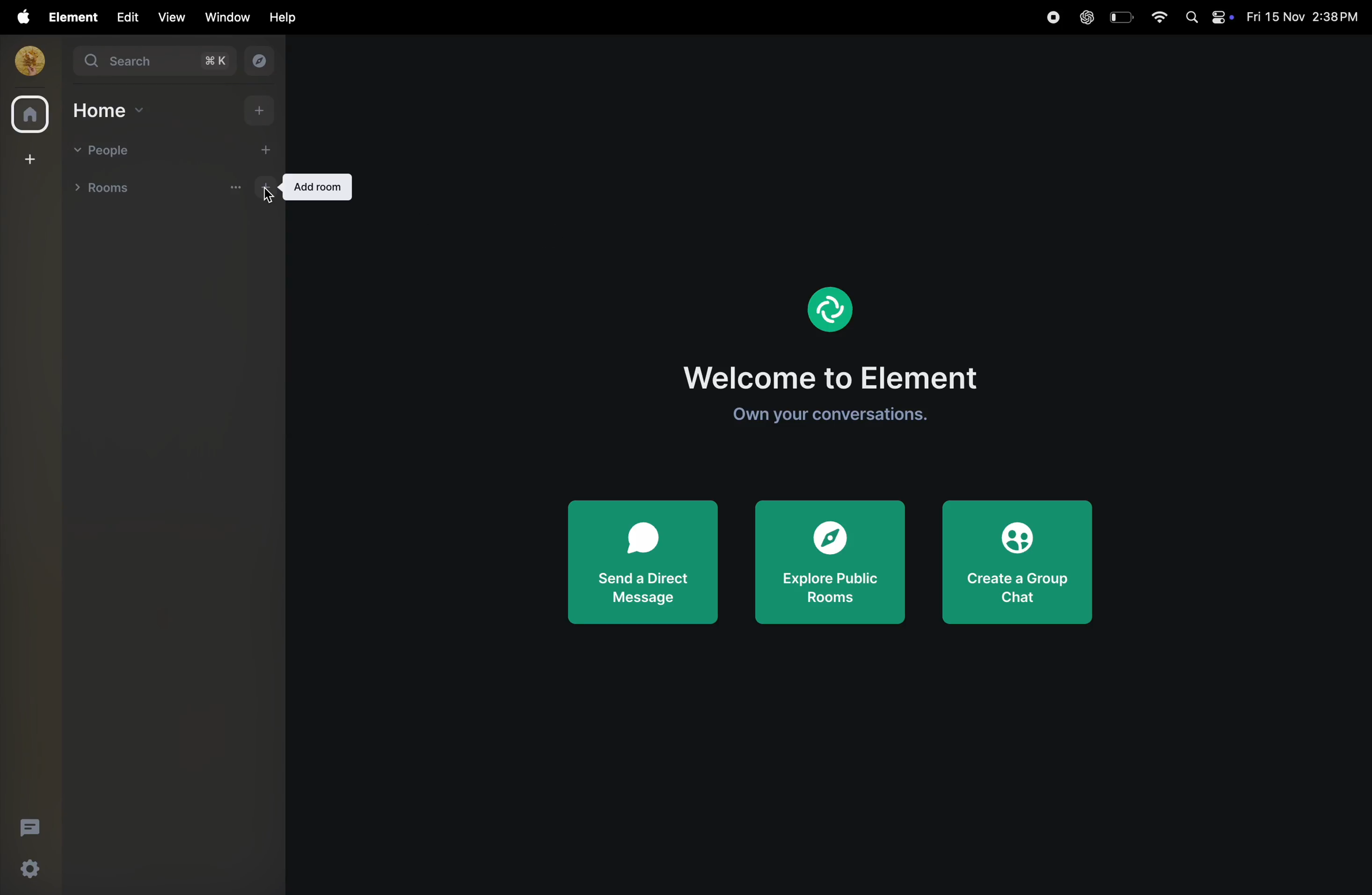 Image resolution: width=1372 pixels, height=895 pixels. What do you see at coordinates (1048, 18) in the screenshot?
I see `record` at bounding box center [1048, 18].